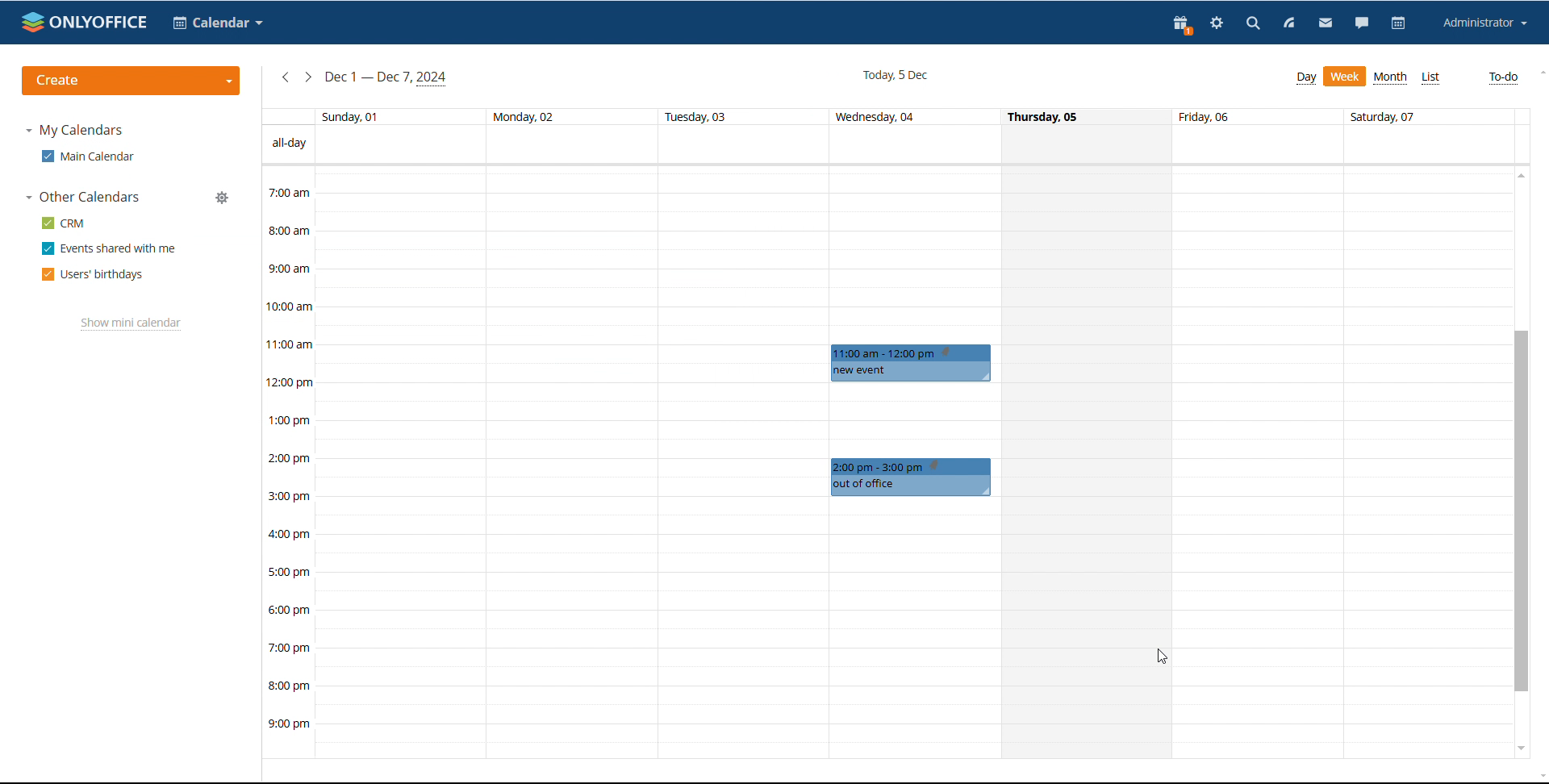  Describe the element at coordinates (1519, 177) in the screenshot. I see `scroll up` at that location.